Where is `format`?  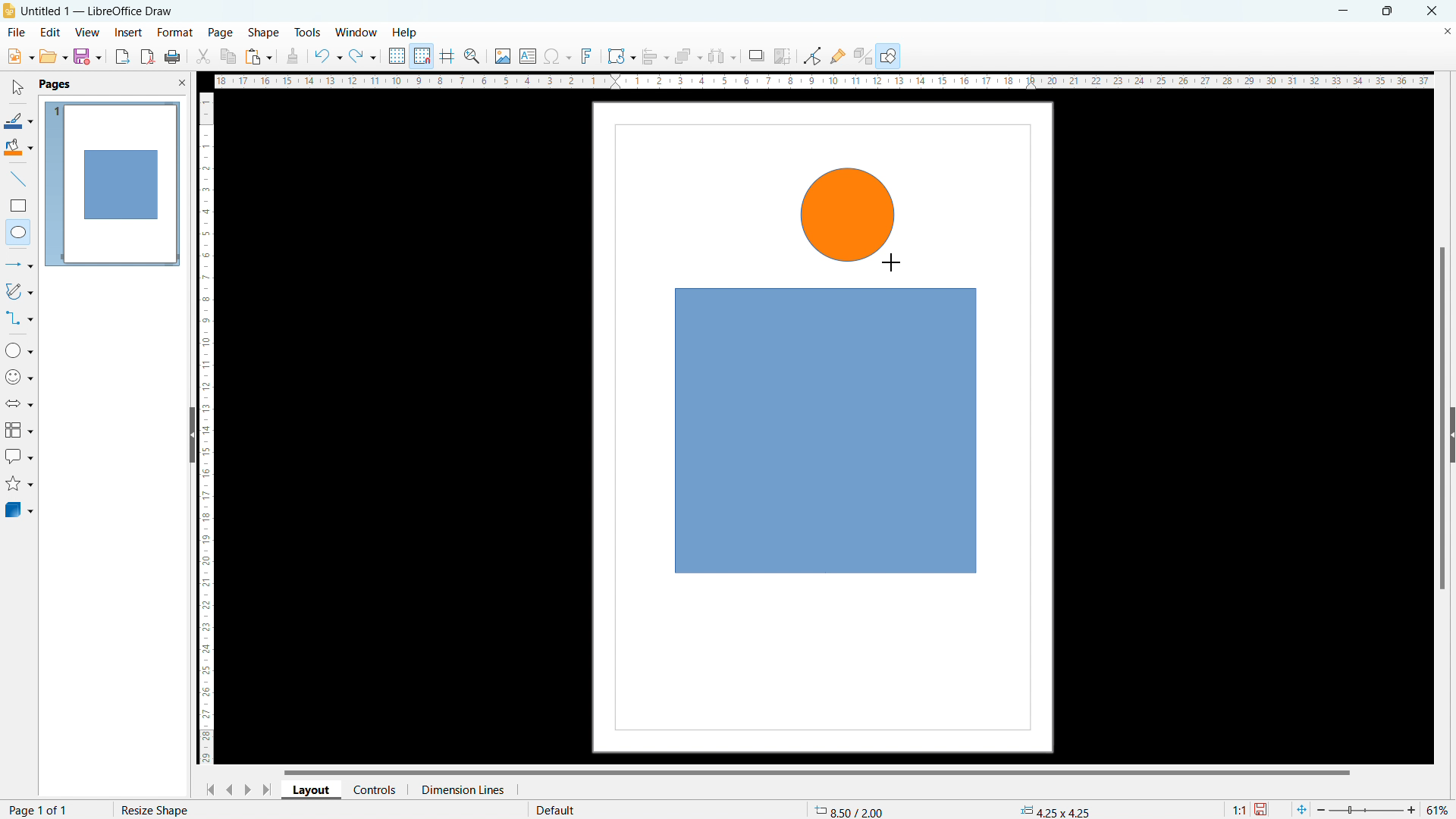
format is located at coordinates (174, 33).